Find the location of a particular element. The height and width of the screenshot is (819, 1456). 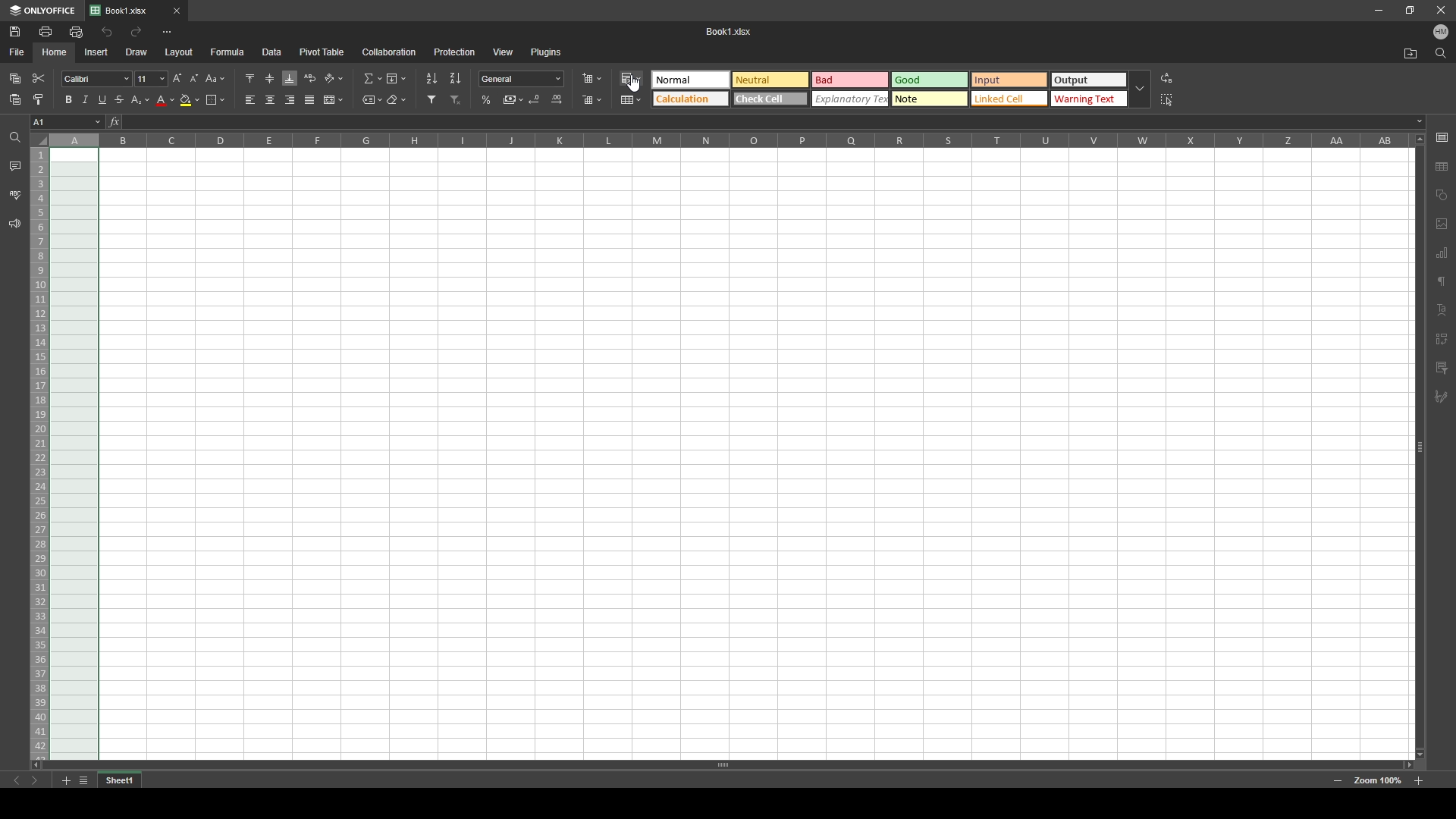

protection is located at coordinates (454, 52).